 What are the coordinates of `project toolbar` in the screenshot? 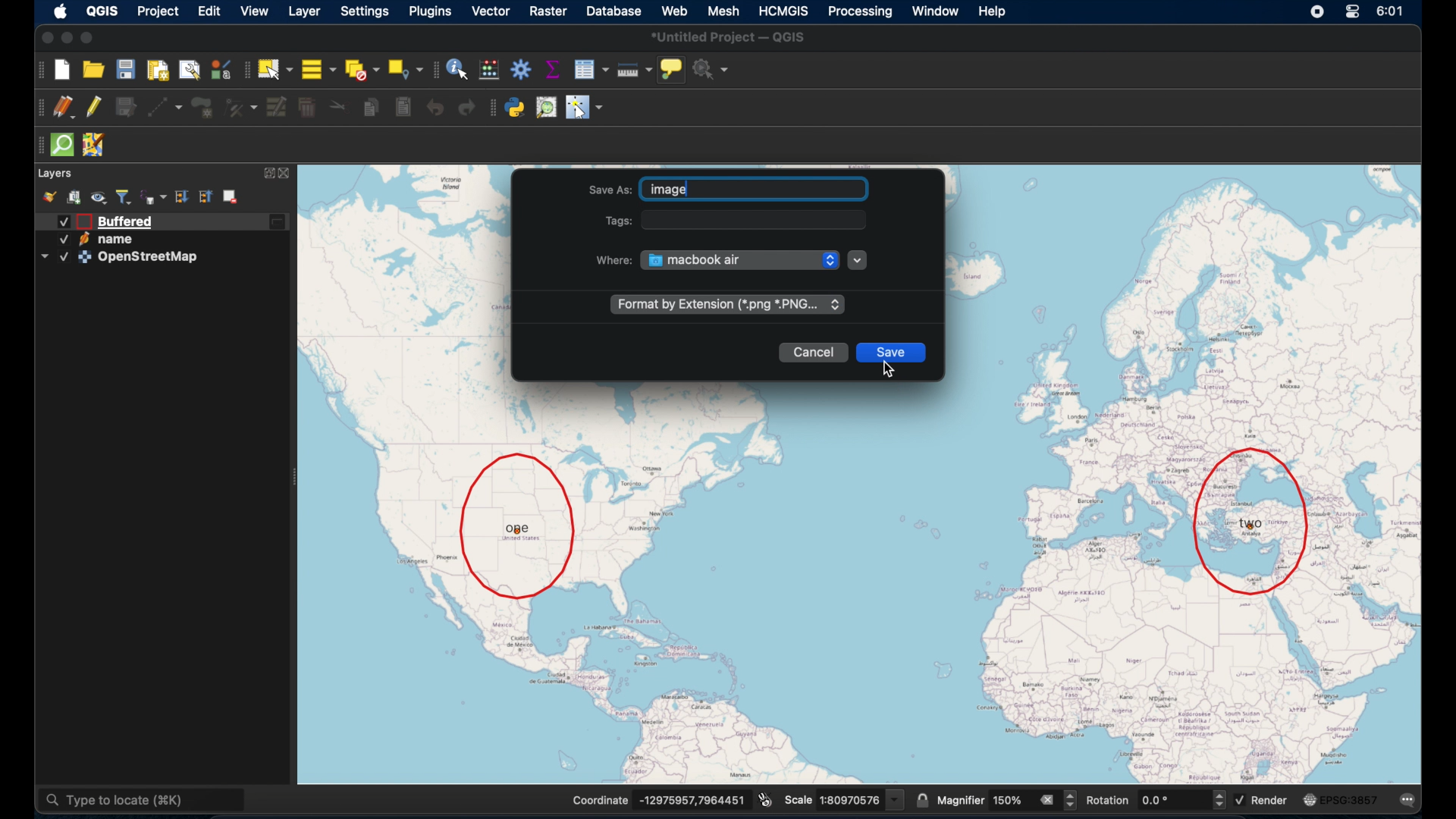 It's located at (39, 70).